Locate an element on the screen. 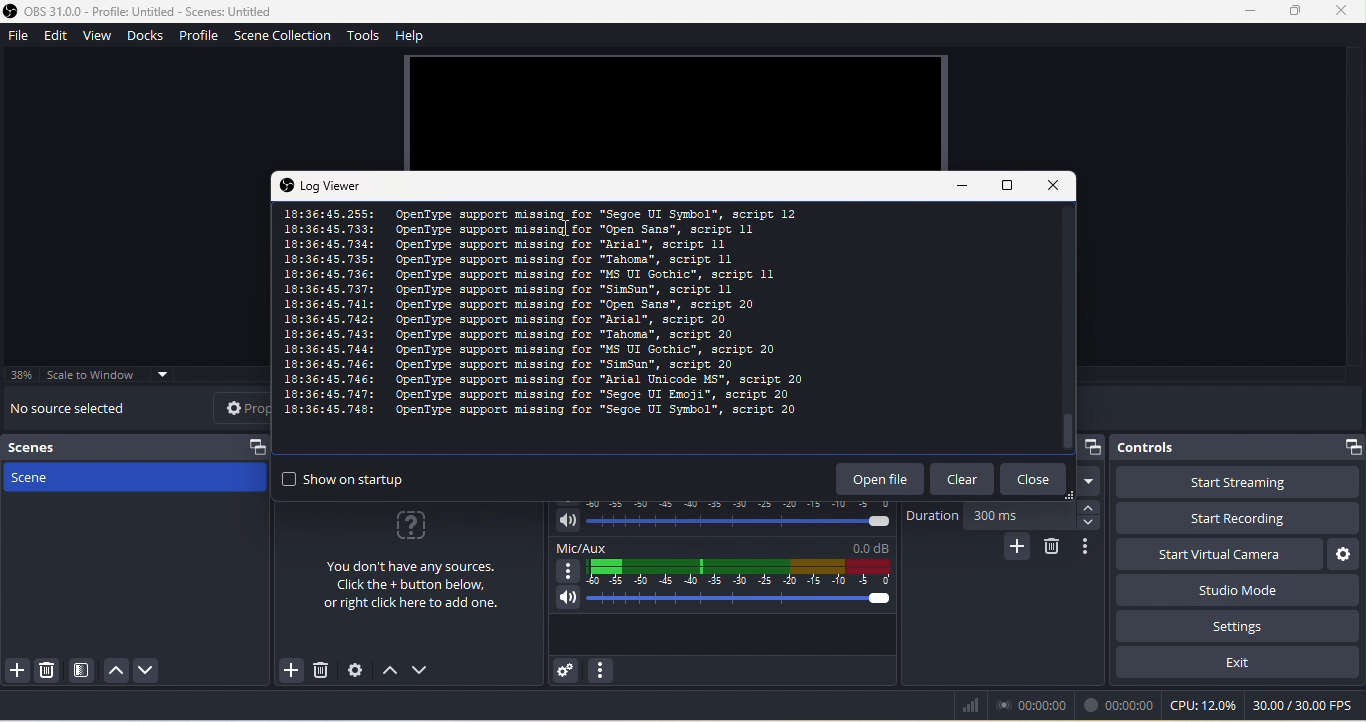  docks is located at coordinates (150, 37).